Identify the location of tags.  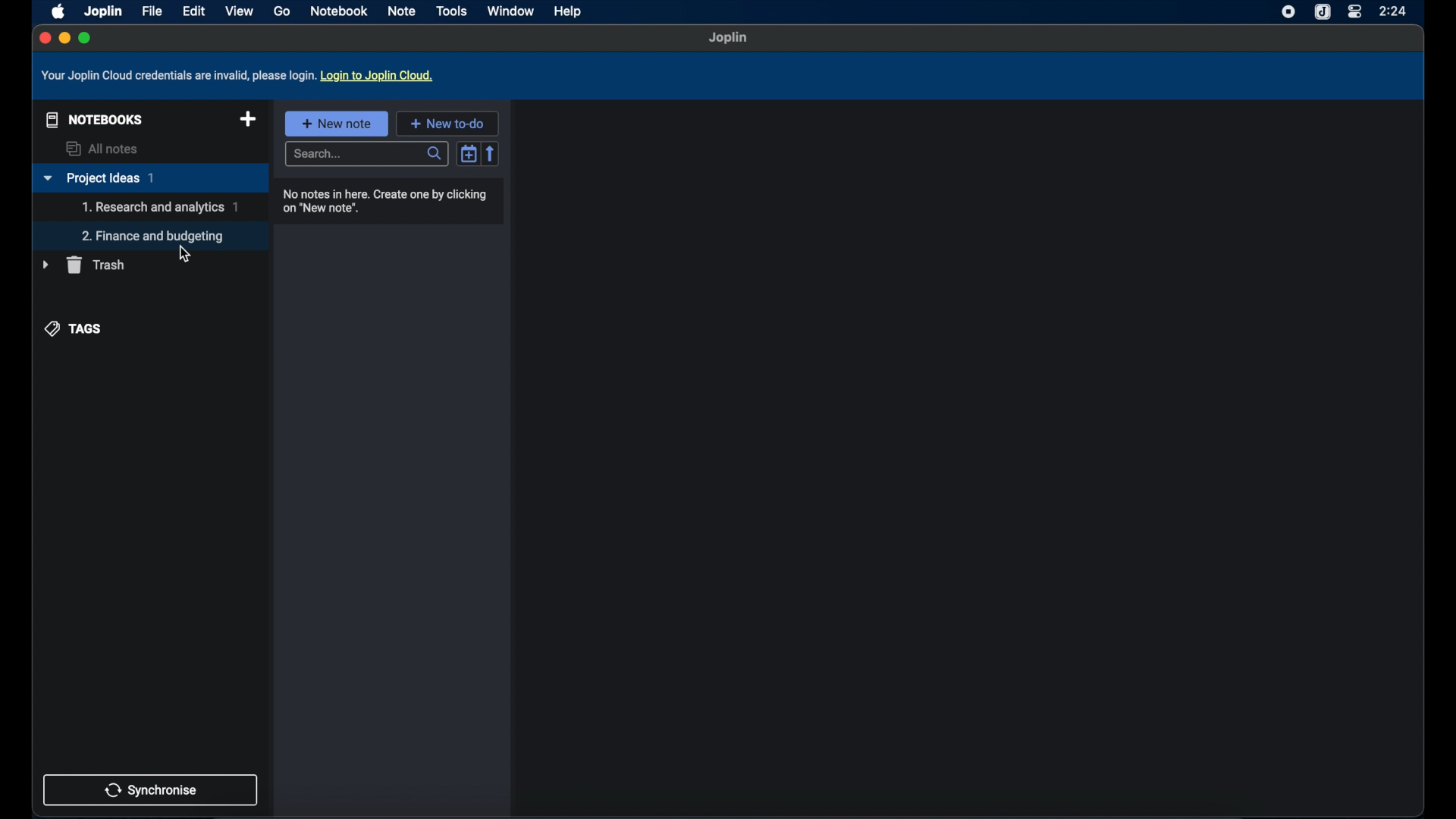
(75, 328).